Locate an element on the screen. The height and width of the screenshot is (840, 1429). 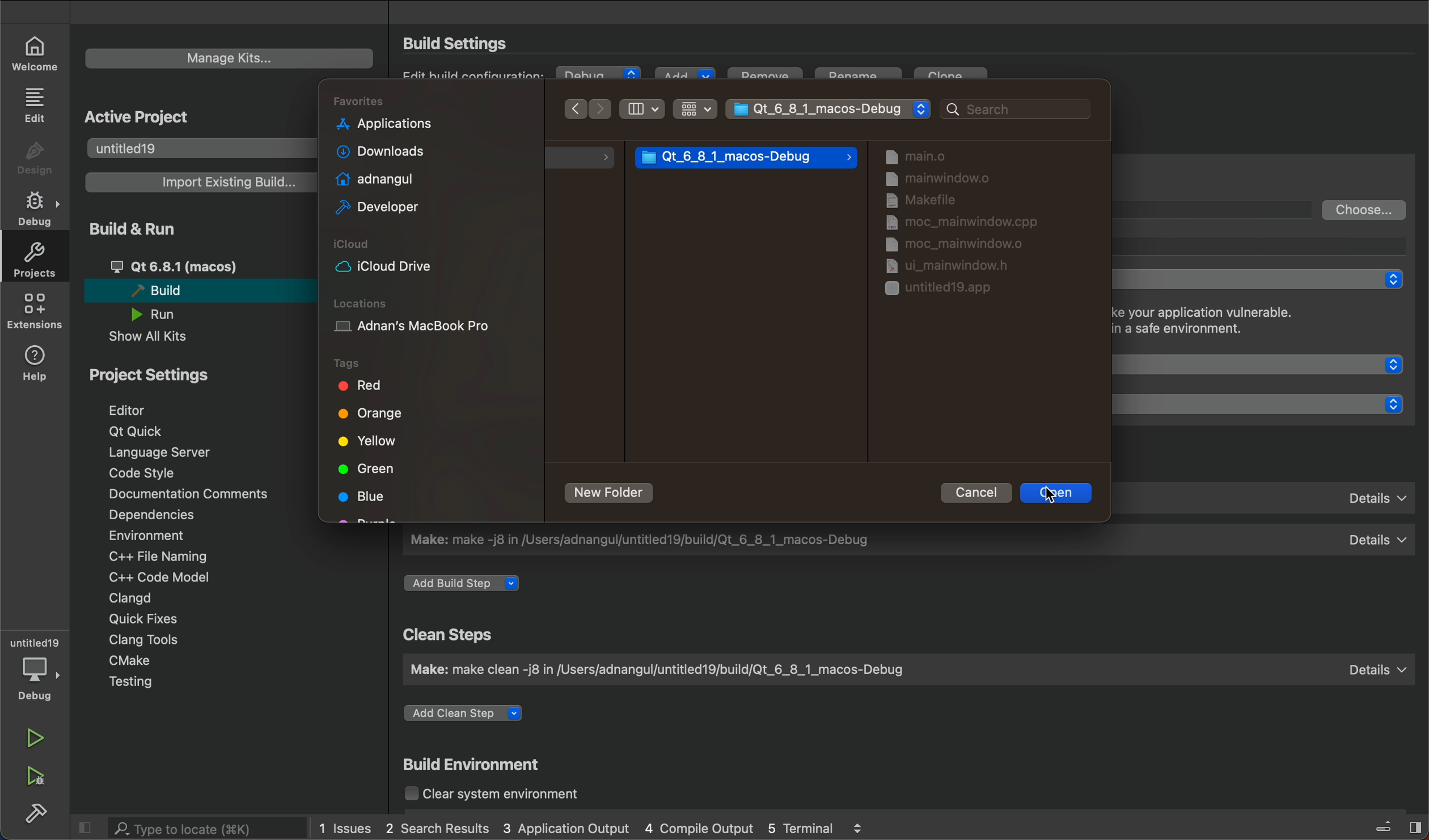
build is located at coordinates (37, 811).